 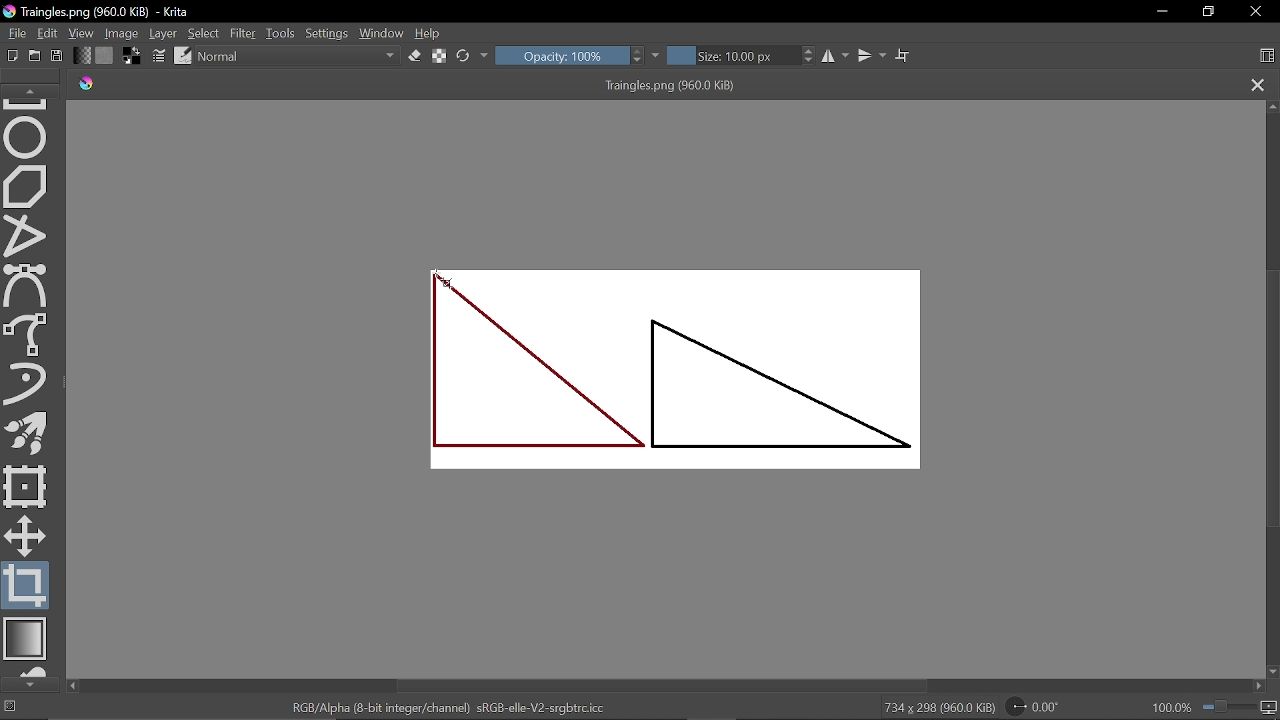 What do you see at coordinates (430, 34) in the screenshot?
I see `Help` at bounding box center [430, 34].